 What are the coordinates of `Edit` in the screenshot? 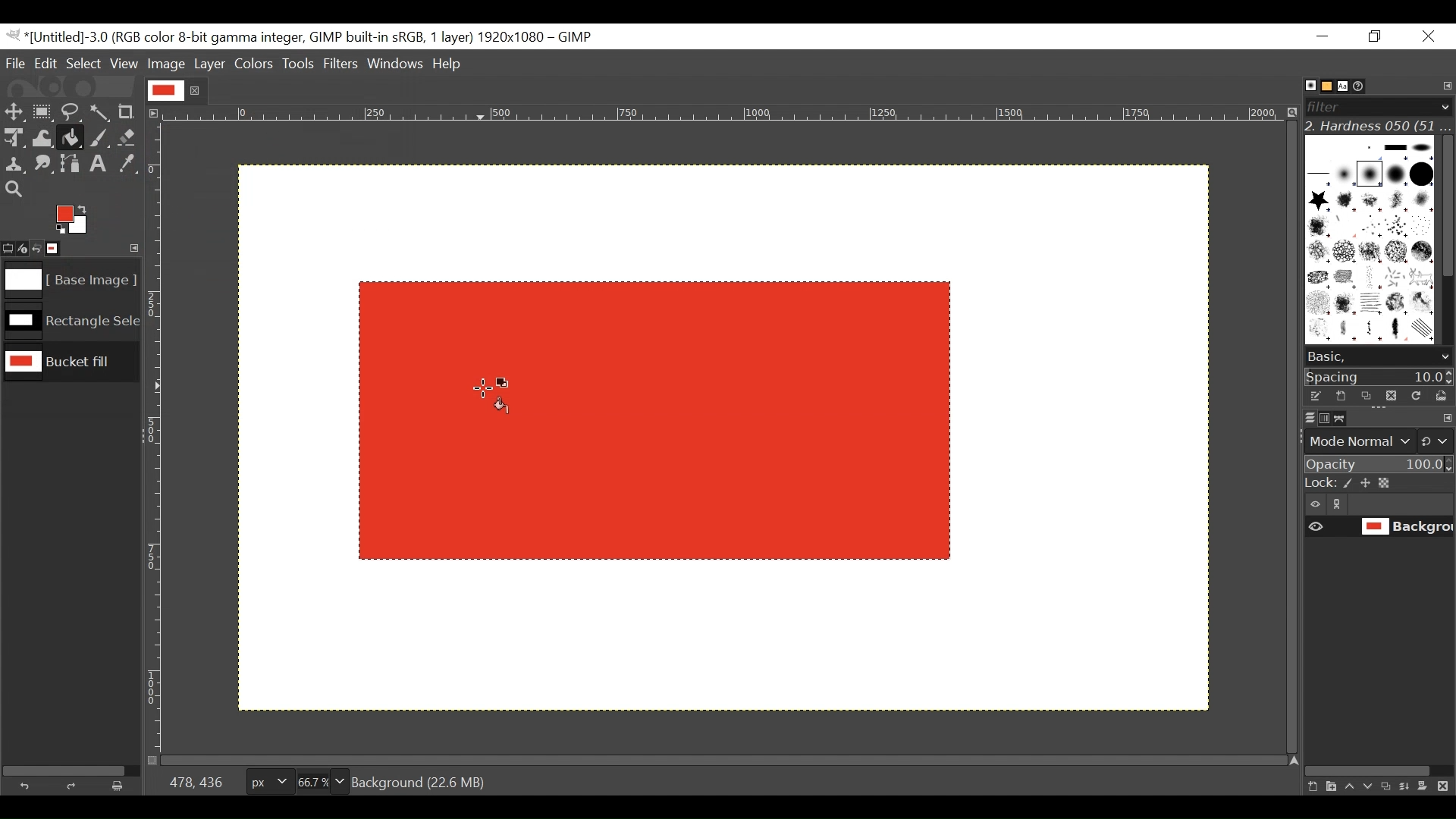 It's located at (47, 63).